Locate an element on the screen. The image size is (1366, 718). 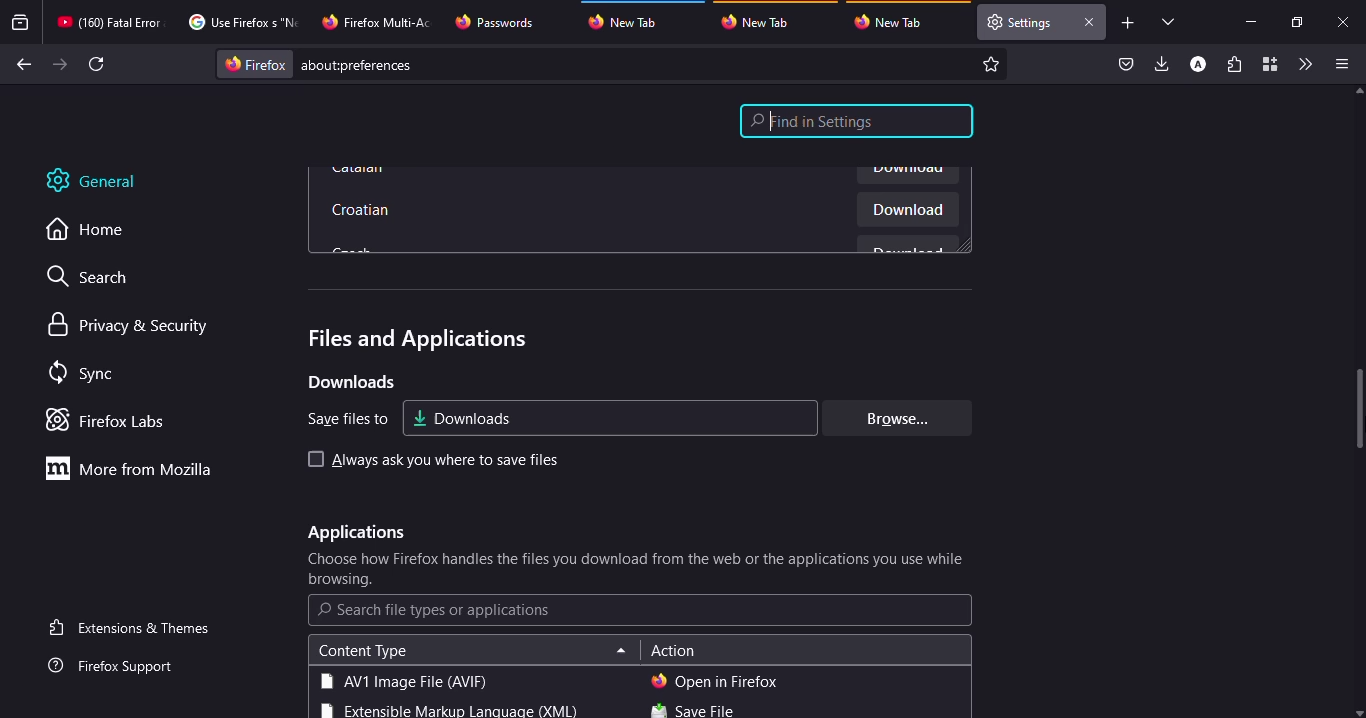
save to pocket is located at coordinates (1126, 65).